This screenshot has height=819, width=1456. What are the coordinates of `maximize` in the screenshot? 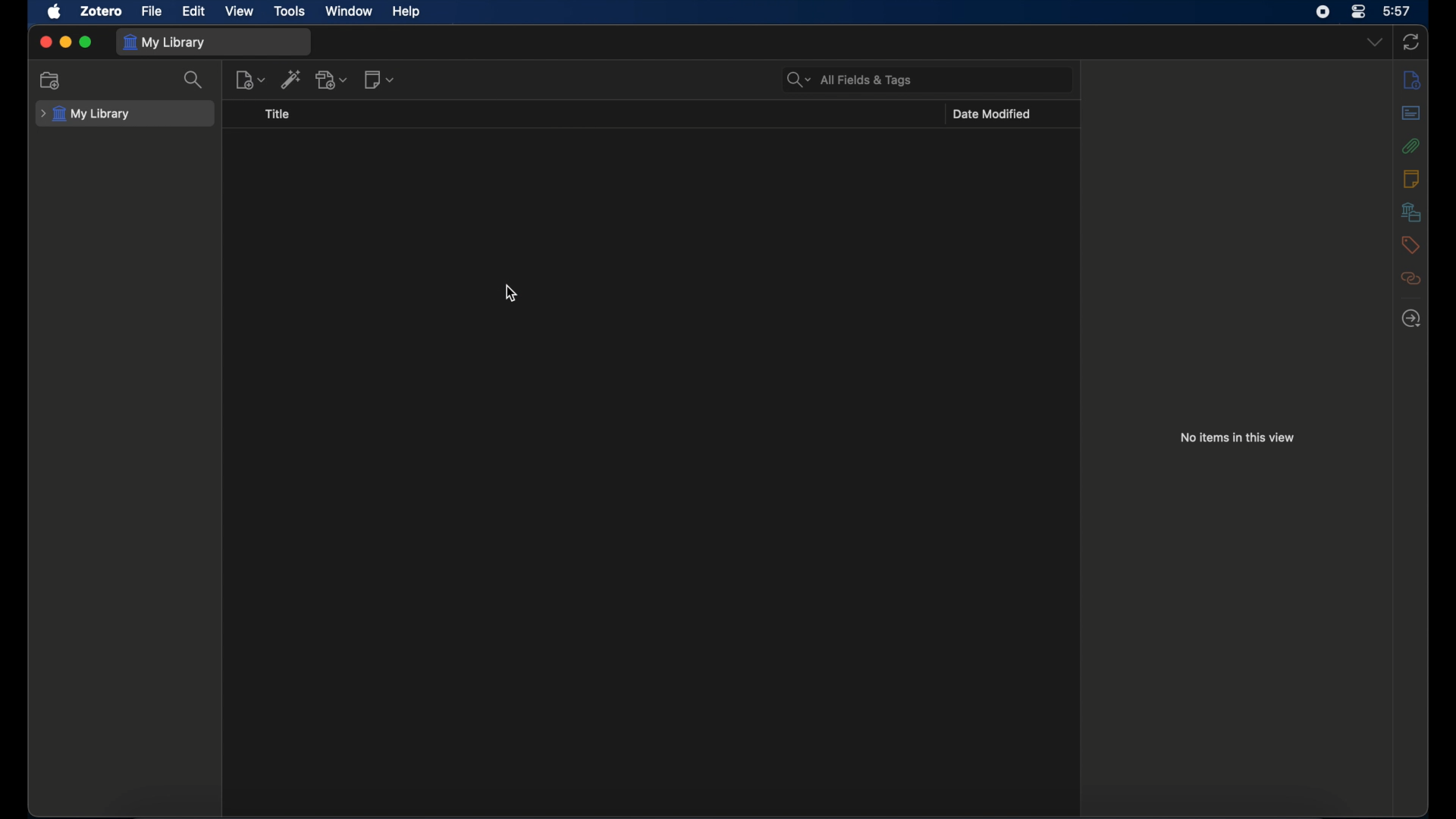 It's located at (86, 42).